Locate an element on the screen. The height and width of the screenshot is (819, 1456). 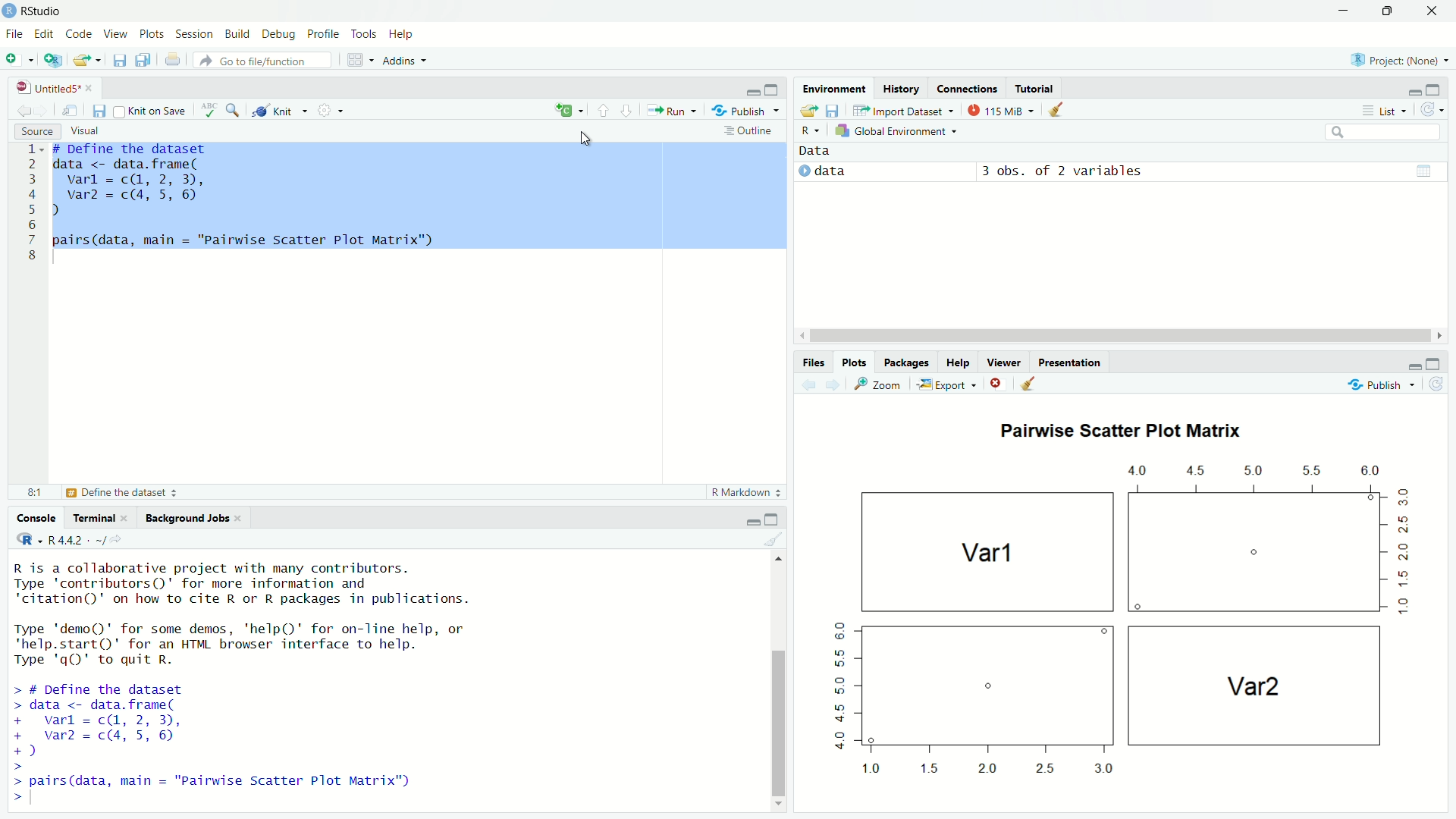
Maximize is located at coordinates (1434, 91).